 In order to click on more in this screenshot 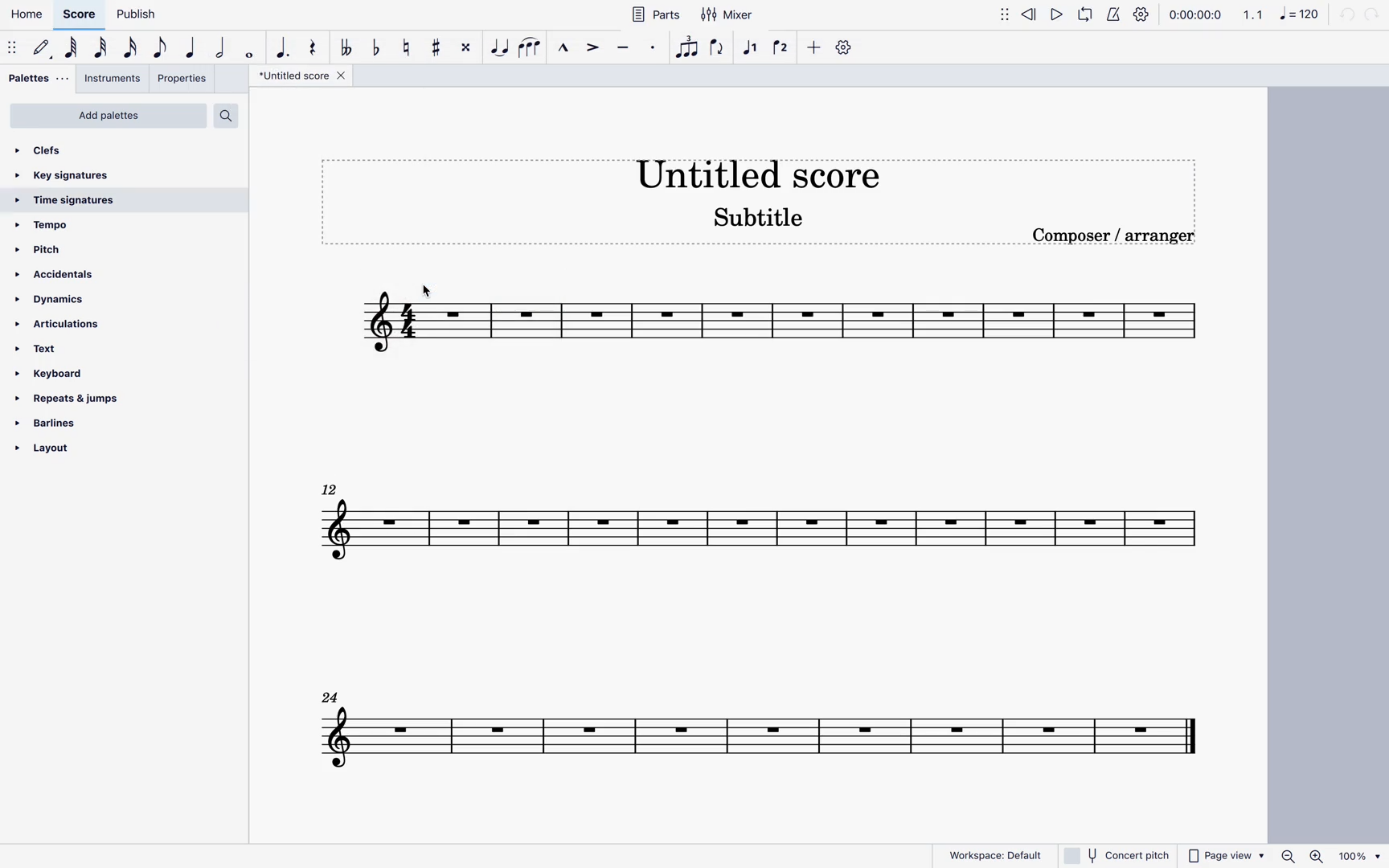, I will do `click(813, 49)`.